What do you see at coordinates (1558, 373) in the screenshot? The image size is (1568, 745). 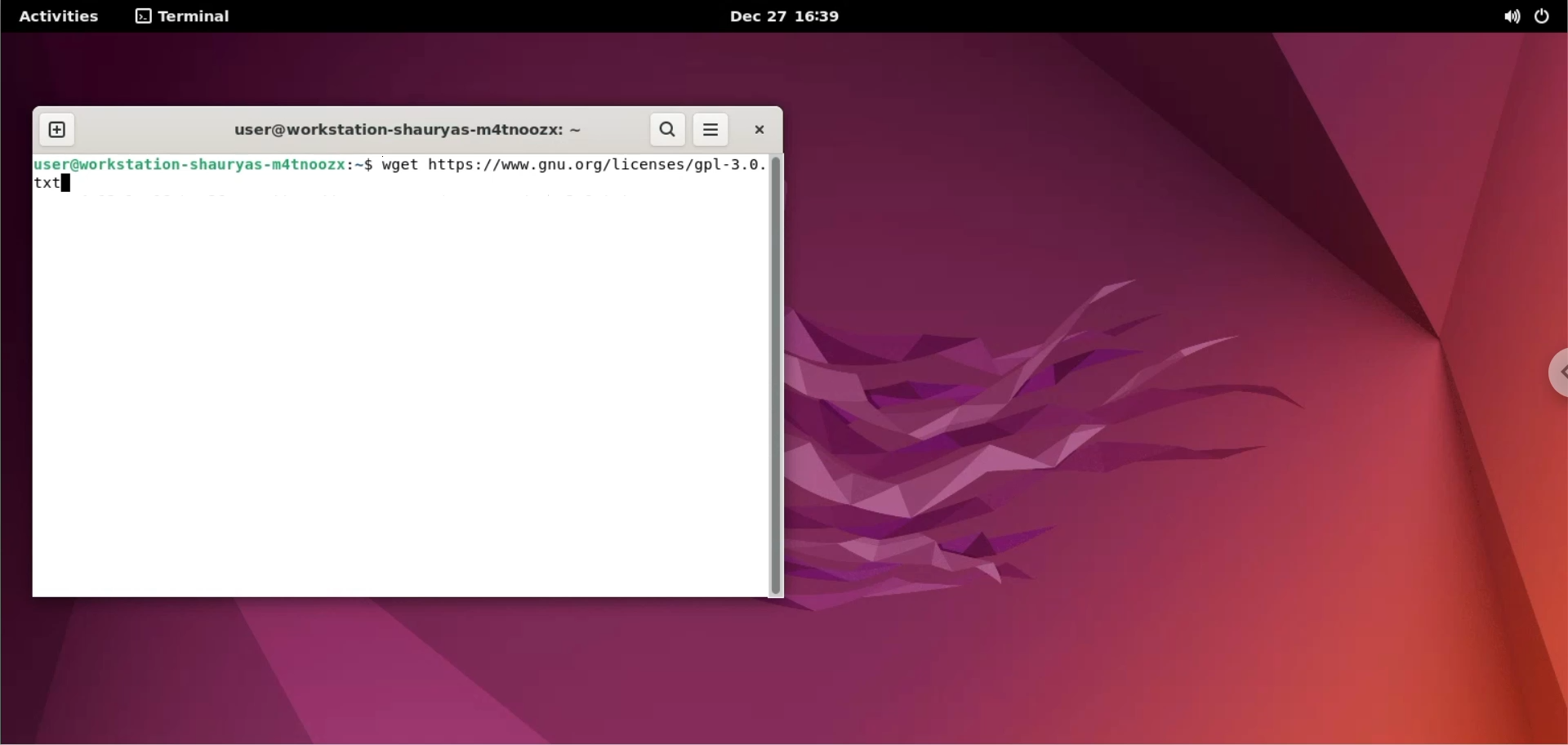 I see `chrome options` at bounding box center [1558, 373].